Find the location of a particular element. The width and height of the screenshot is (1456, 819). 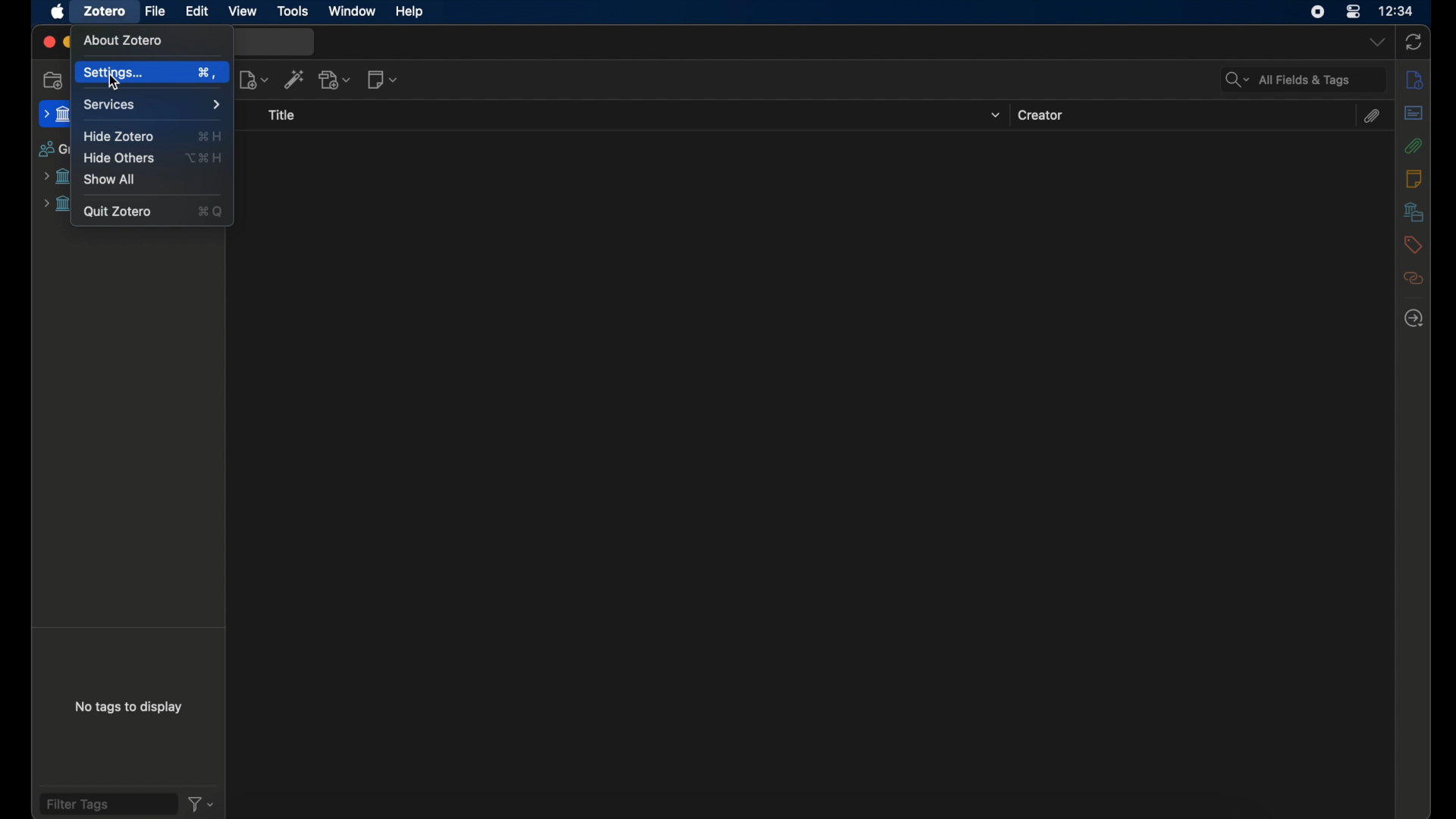

new collection is located at coordinates (54, 80).